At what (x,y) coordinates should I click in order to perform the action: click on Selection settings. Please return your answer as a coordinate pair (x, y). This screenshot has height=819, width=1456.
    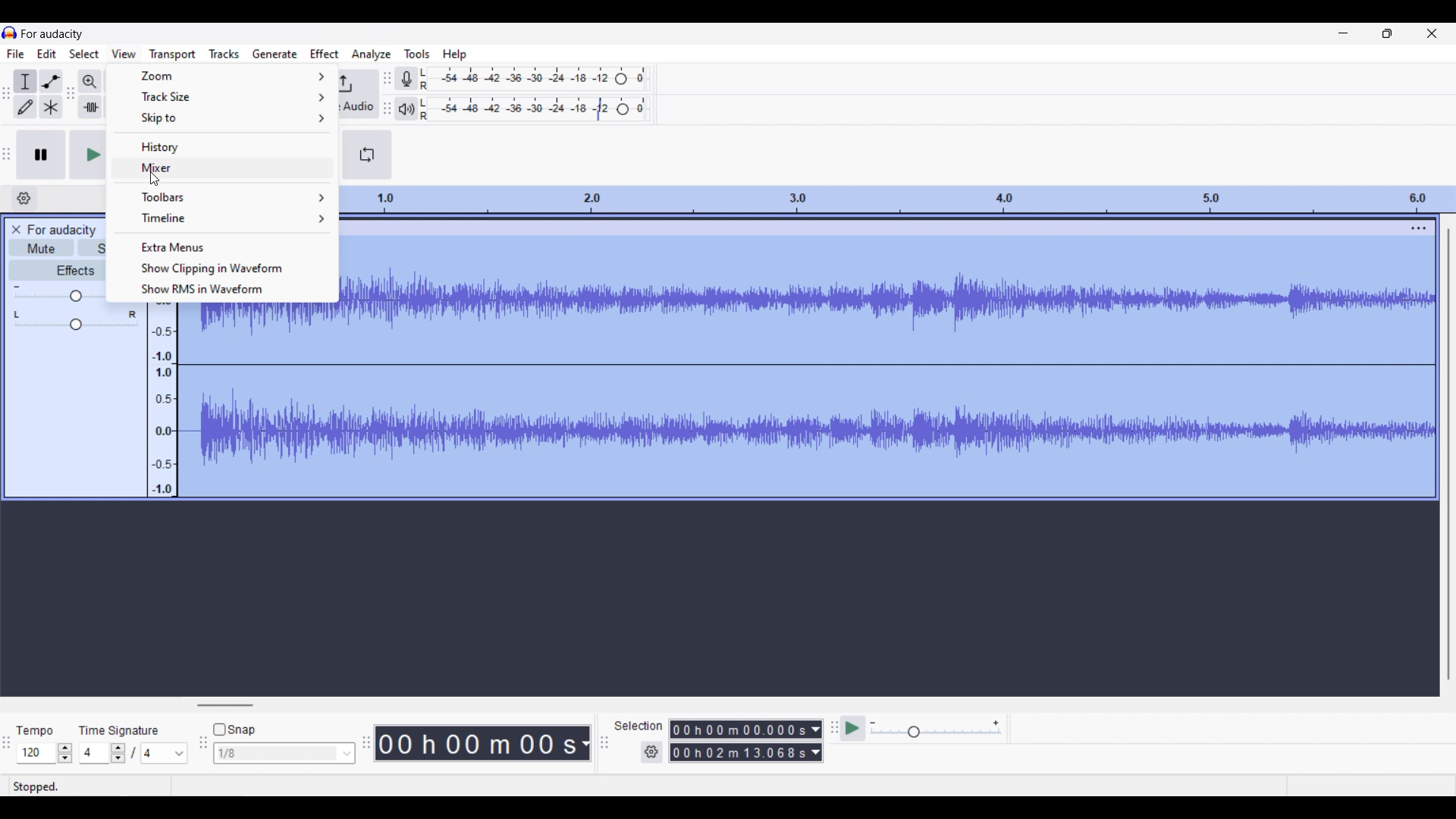
    Looking at the image, I should click on (652, 752).